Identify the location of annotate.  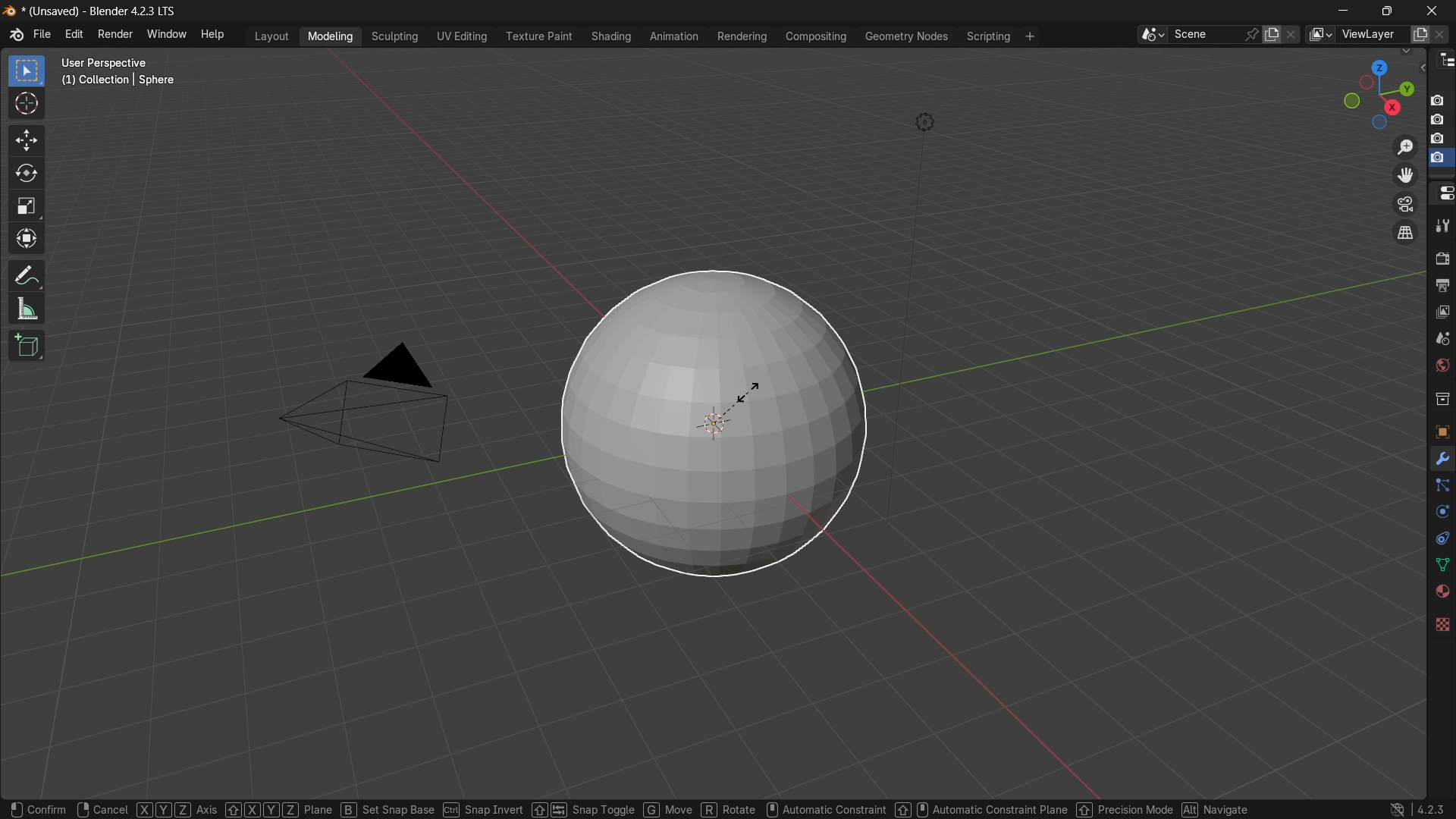
(27, 276).